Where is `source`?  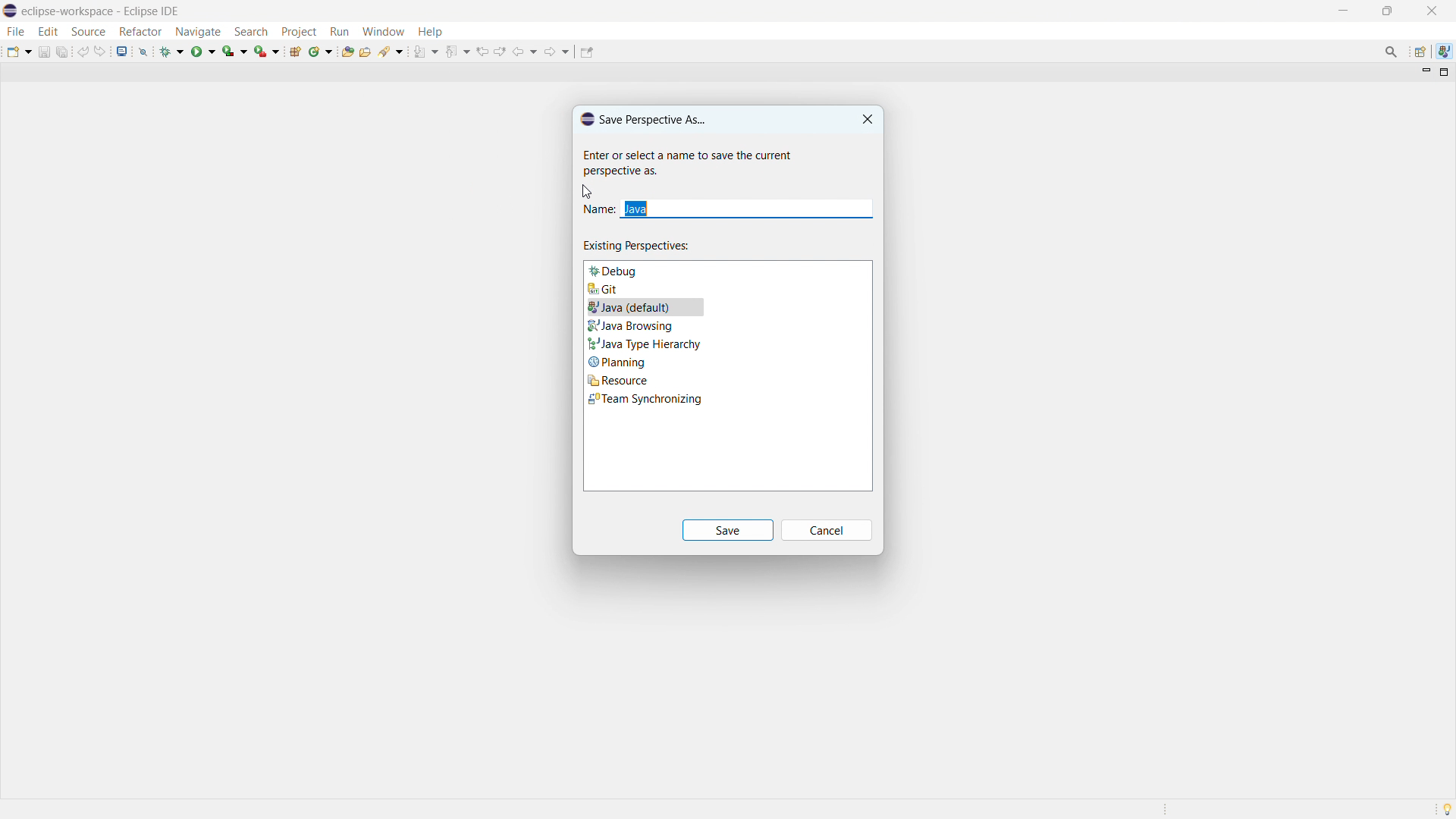 source is located at coordinates (88, 32).